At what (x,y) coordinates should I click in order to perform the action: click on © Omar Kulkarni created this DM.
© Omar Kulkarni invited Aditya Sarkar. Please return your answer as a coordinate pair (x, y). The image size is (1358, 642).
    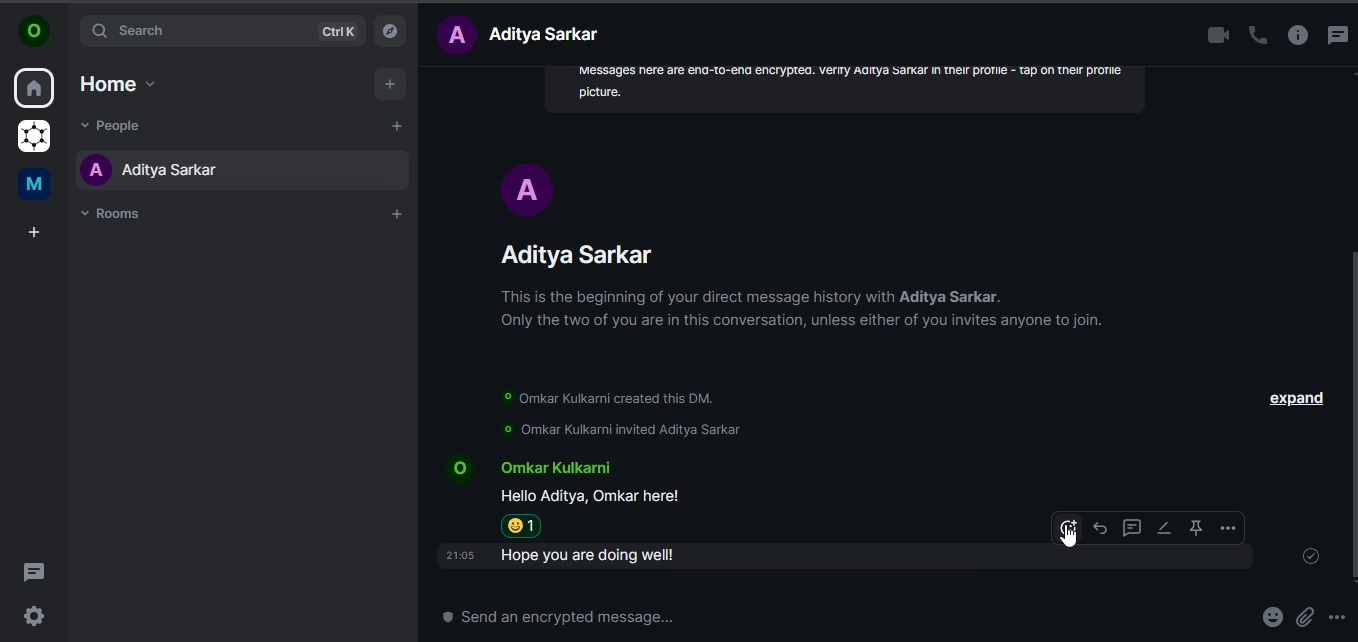
    Looking at the image, I should click on (616, 415).